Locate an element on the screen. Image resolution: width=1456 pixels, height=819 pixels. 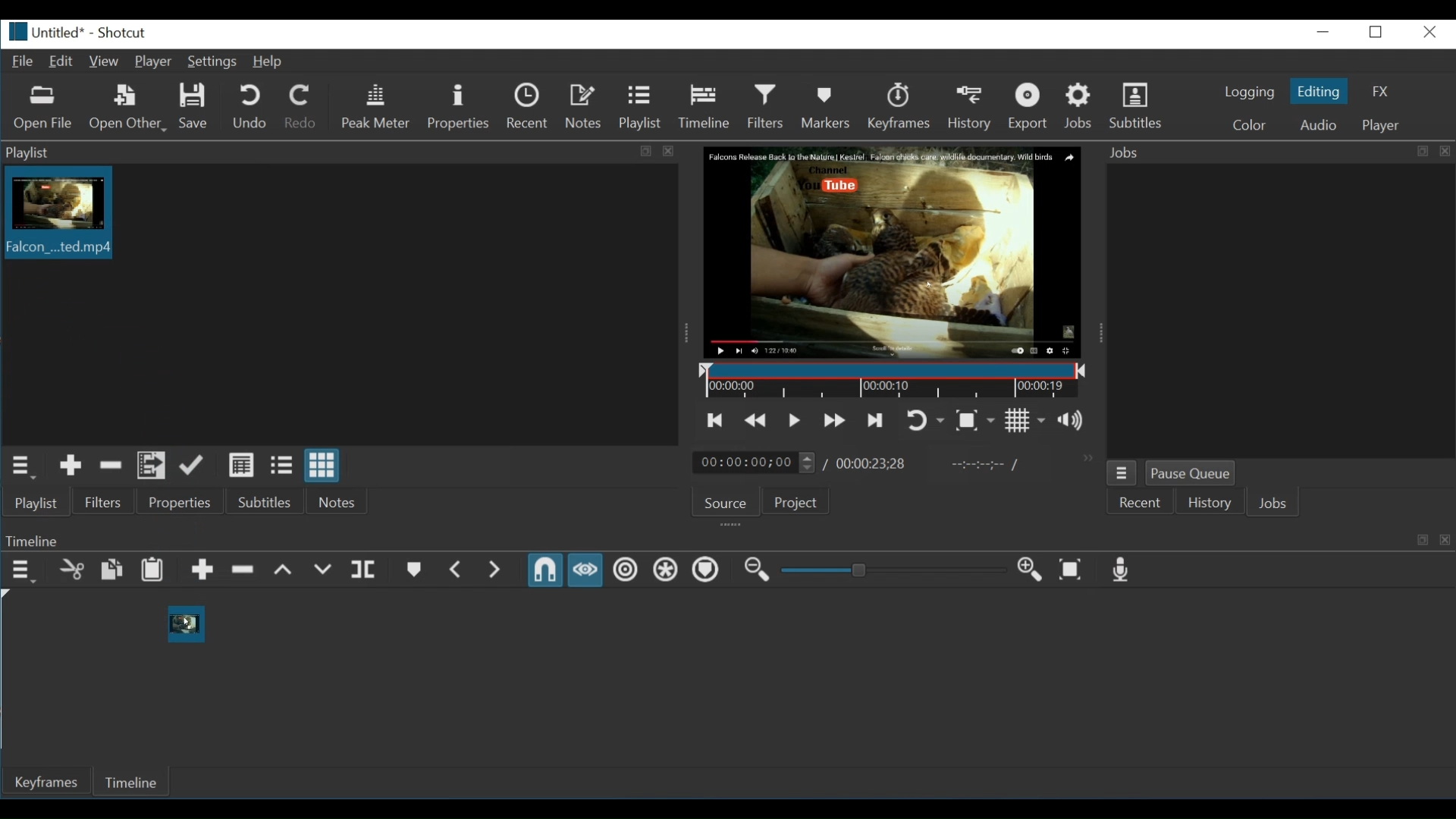
Copy is located at coordinates (112, 570).